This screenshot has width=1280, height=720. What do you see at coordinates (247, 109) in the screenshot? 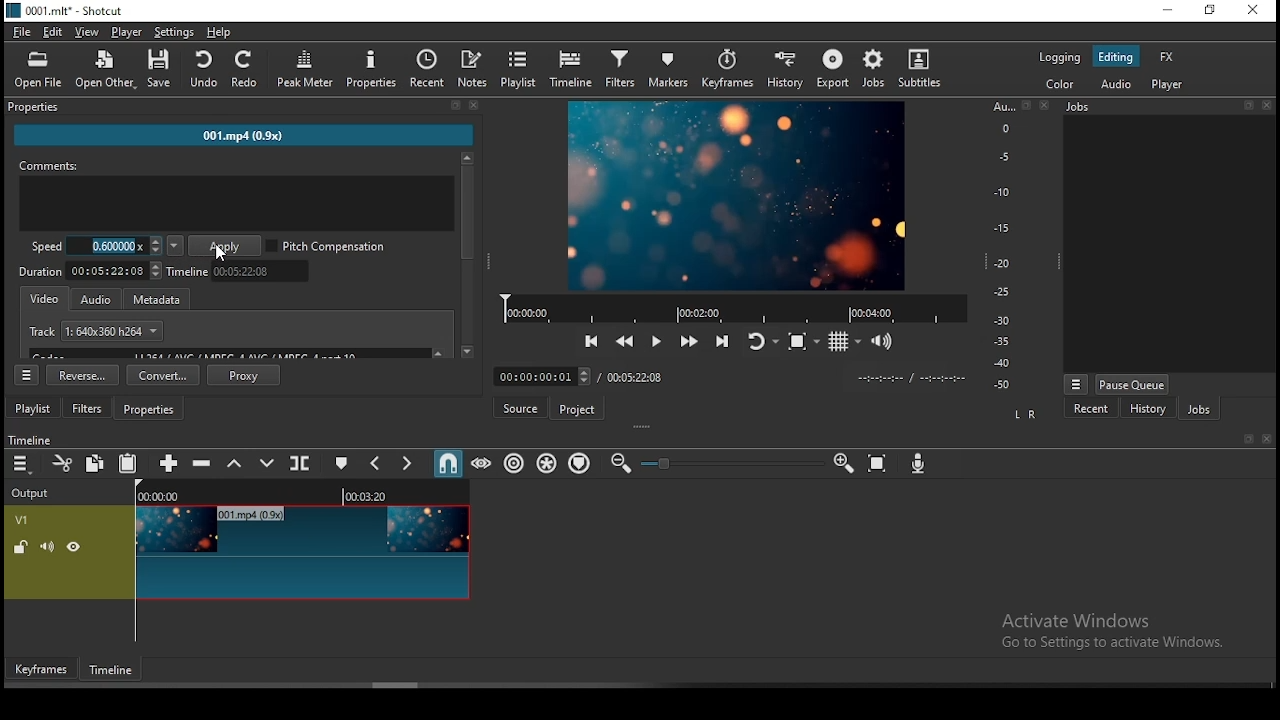
I see `properties` at bounding box center [247, 109].